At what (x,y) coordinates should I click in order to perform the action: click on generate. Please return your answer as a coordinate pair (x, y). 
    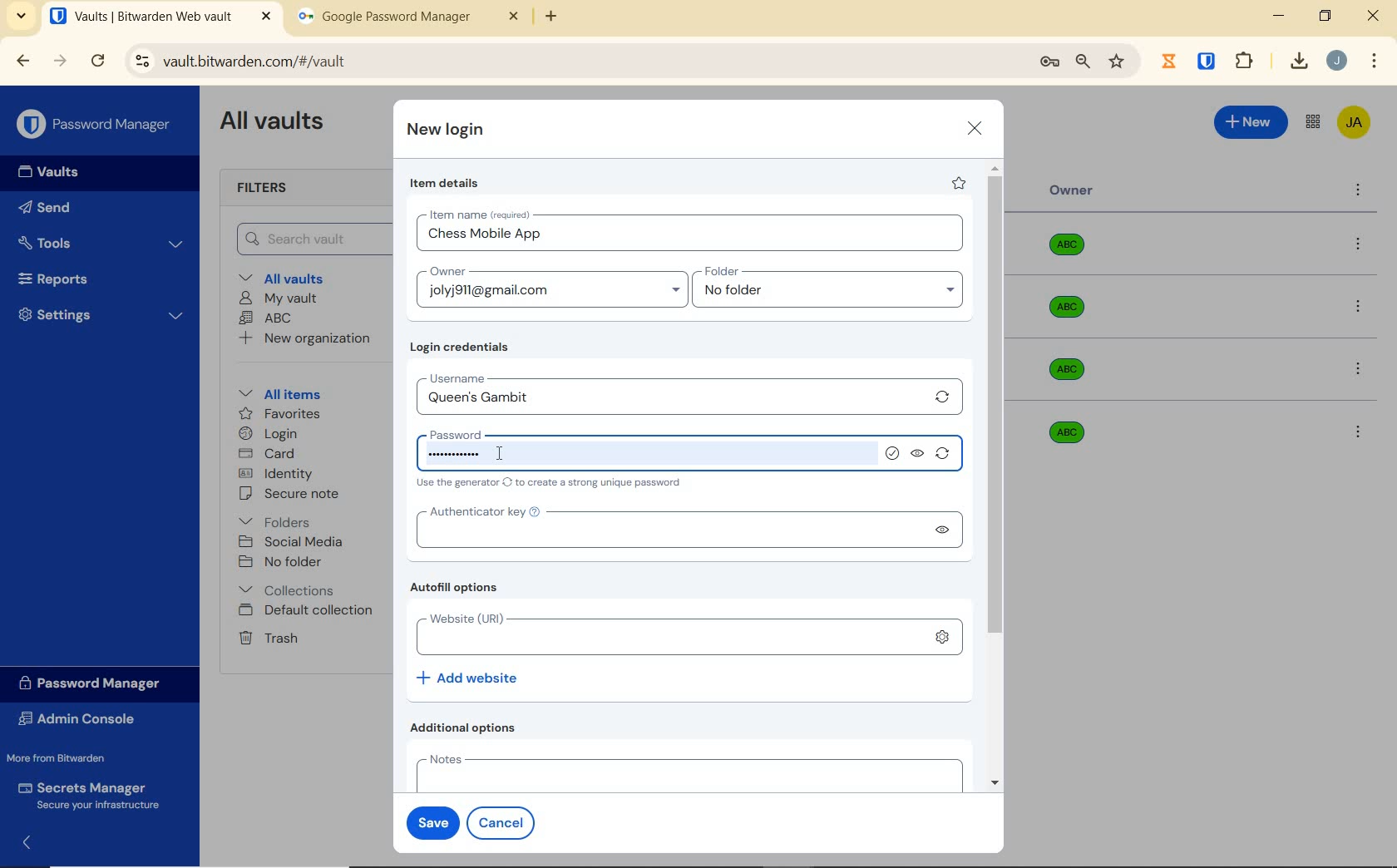
    Looking at the image, I should click on (946, 456).